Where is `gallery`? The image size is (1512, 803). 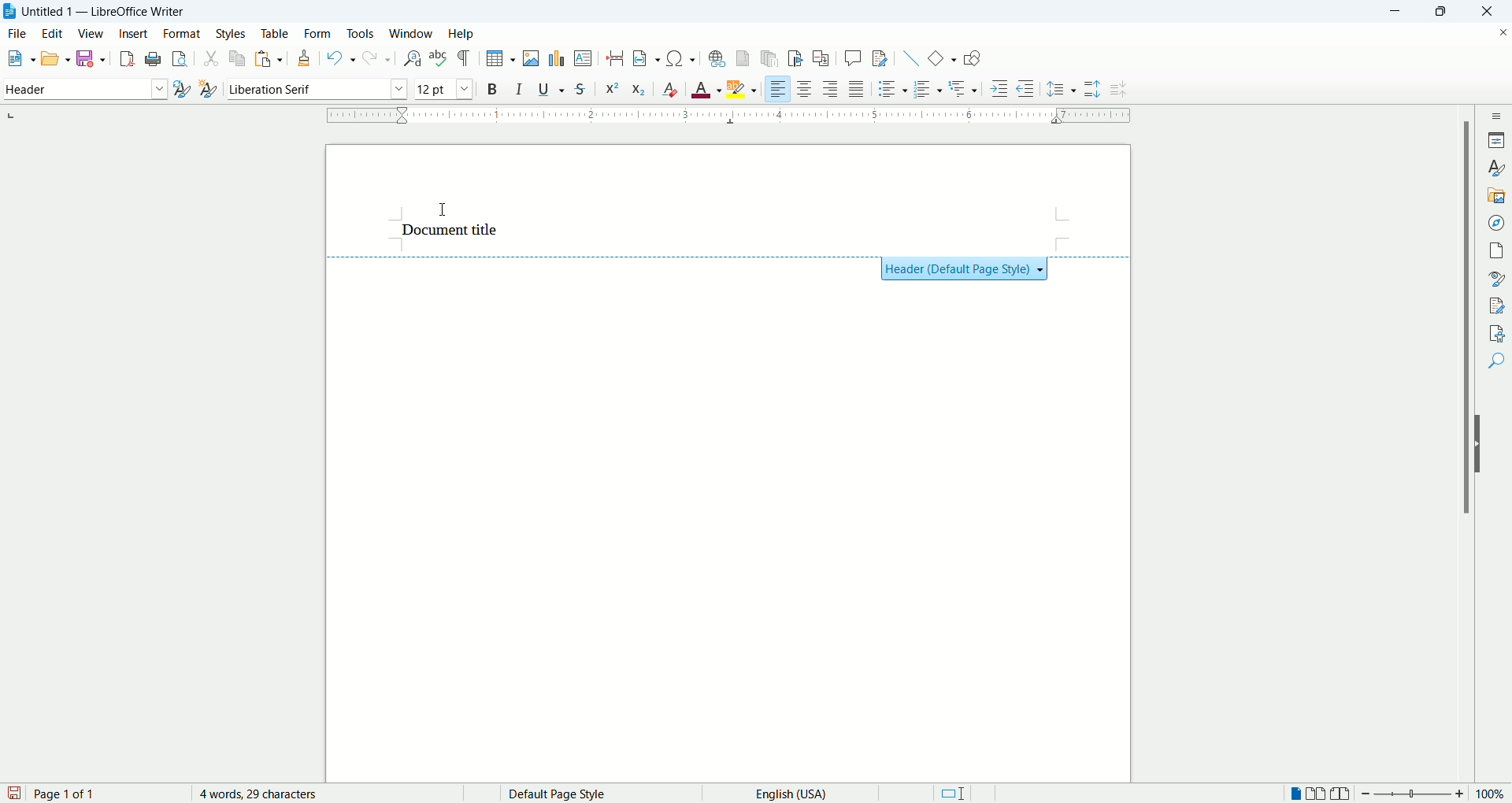
gallery is located at coordinates (1496, 196).